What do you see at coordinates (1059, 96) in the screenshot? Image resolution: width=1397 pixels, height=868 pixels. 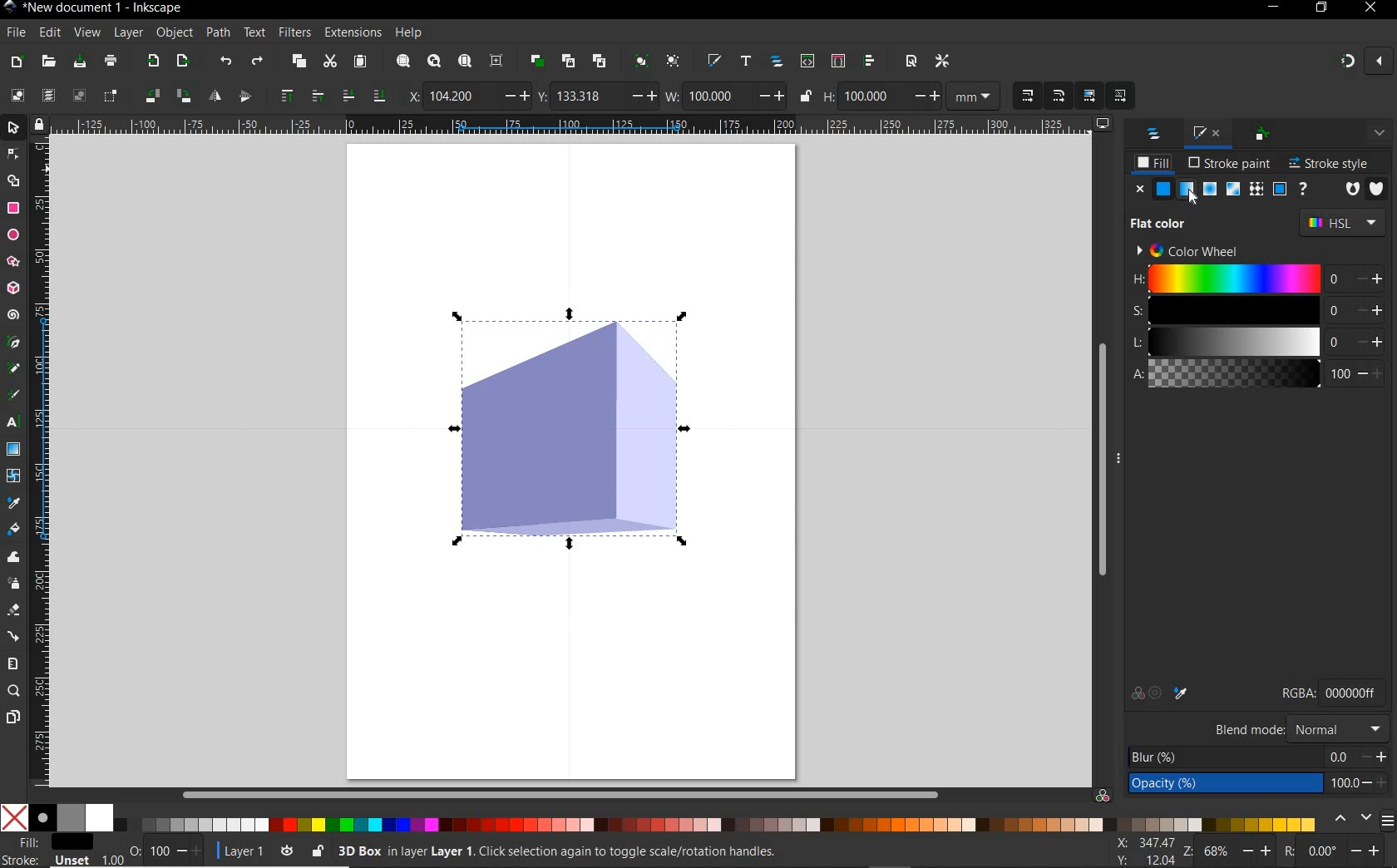 I see `WHENSCALING OBJECTS` at bounding box center [1059, 96].